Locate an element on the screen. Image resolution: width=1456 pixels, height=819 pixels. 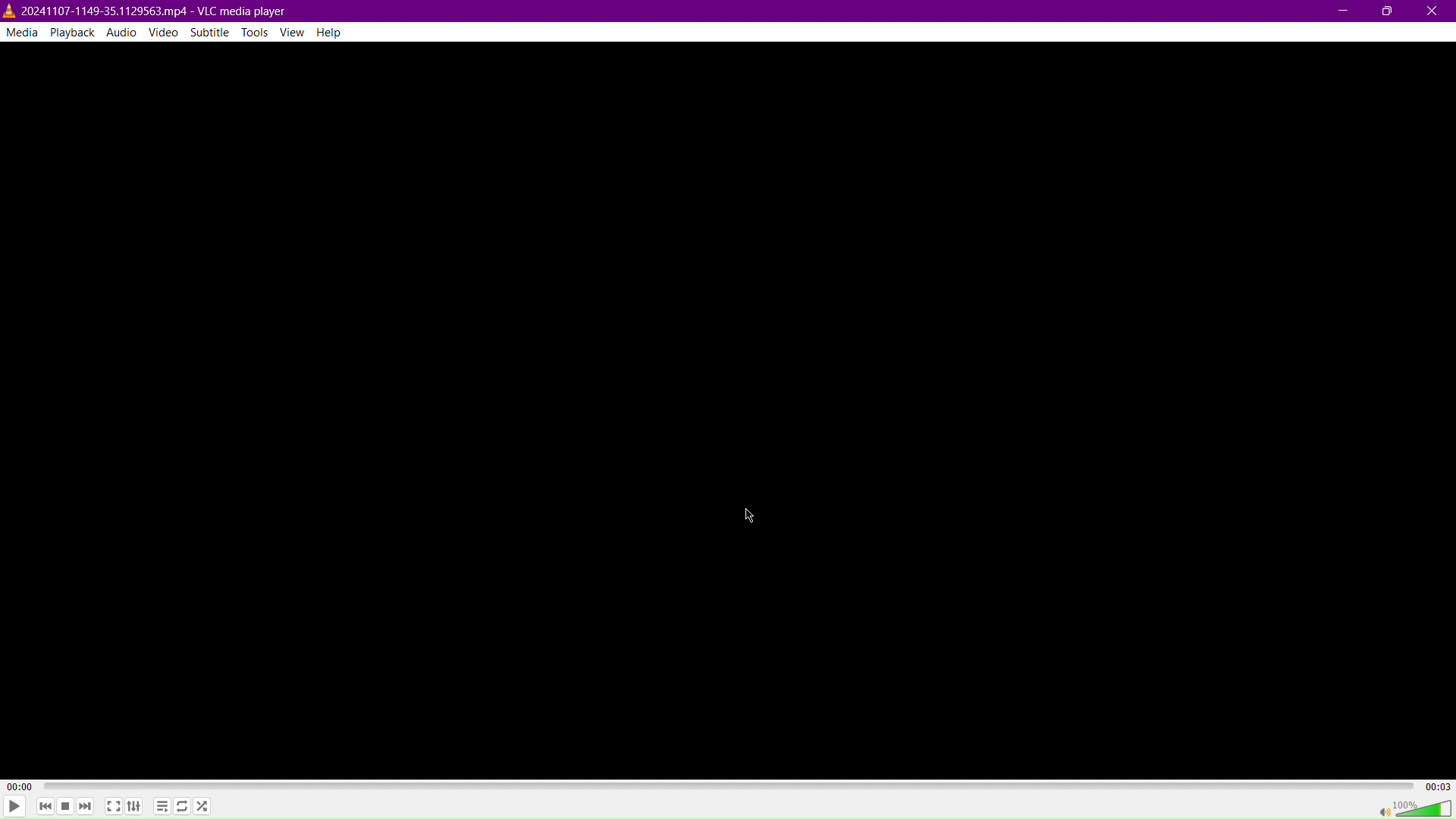
Minimize is located at coordinates (1345, 11).